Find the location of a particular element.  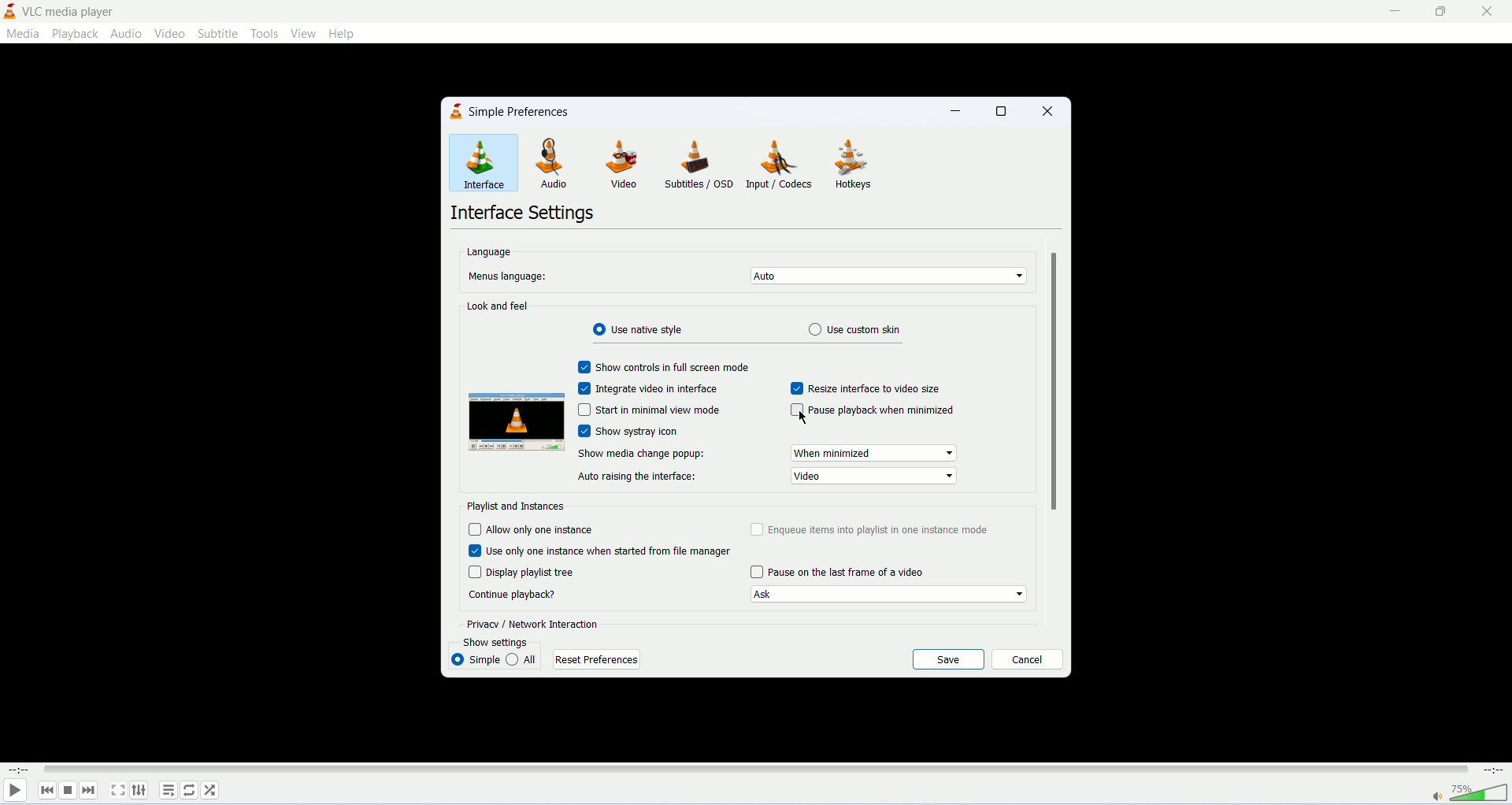

show settings is located at coordinates (495, 642).